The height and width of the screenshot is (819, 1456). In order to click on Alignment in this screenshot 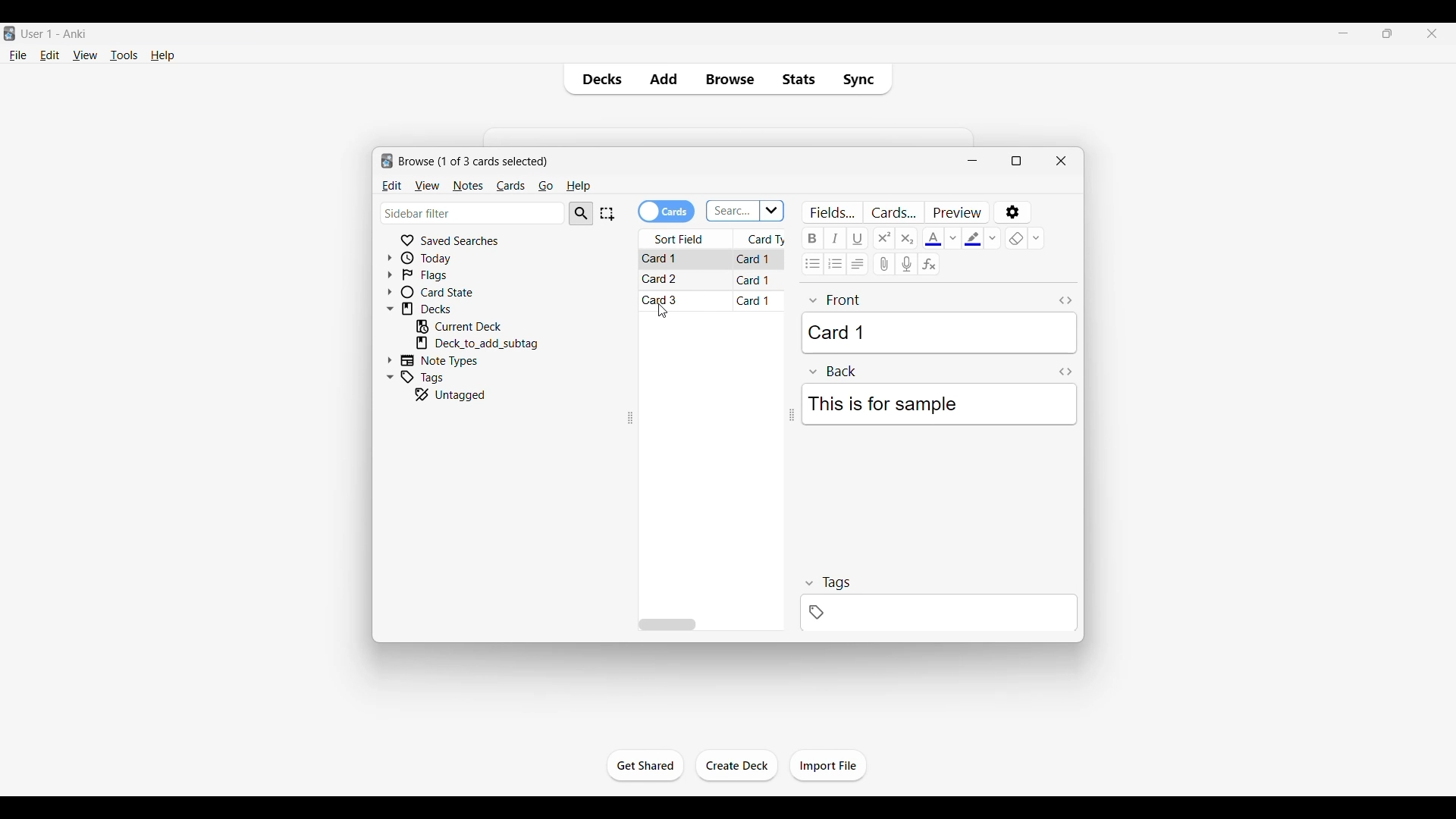, I will do `click(857, 264)`.